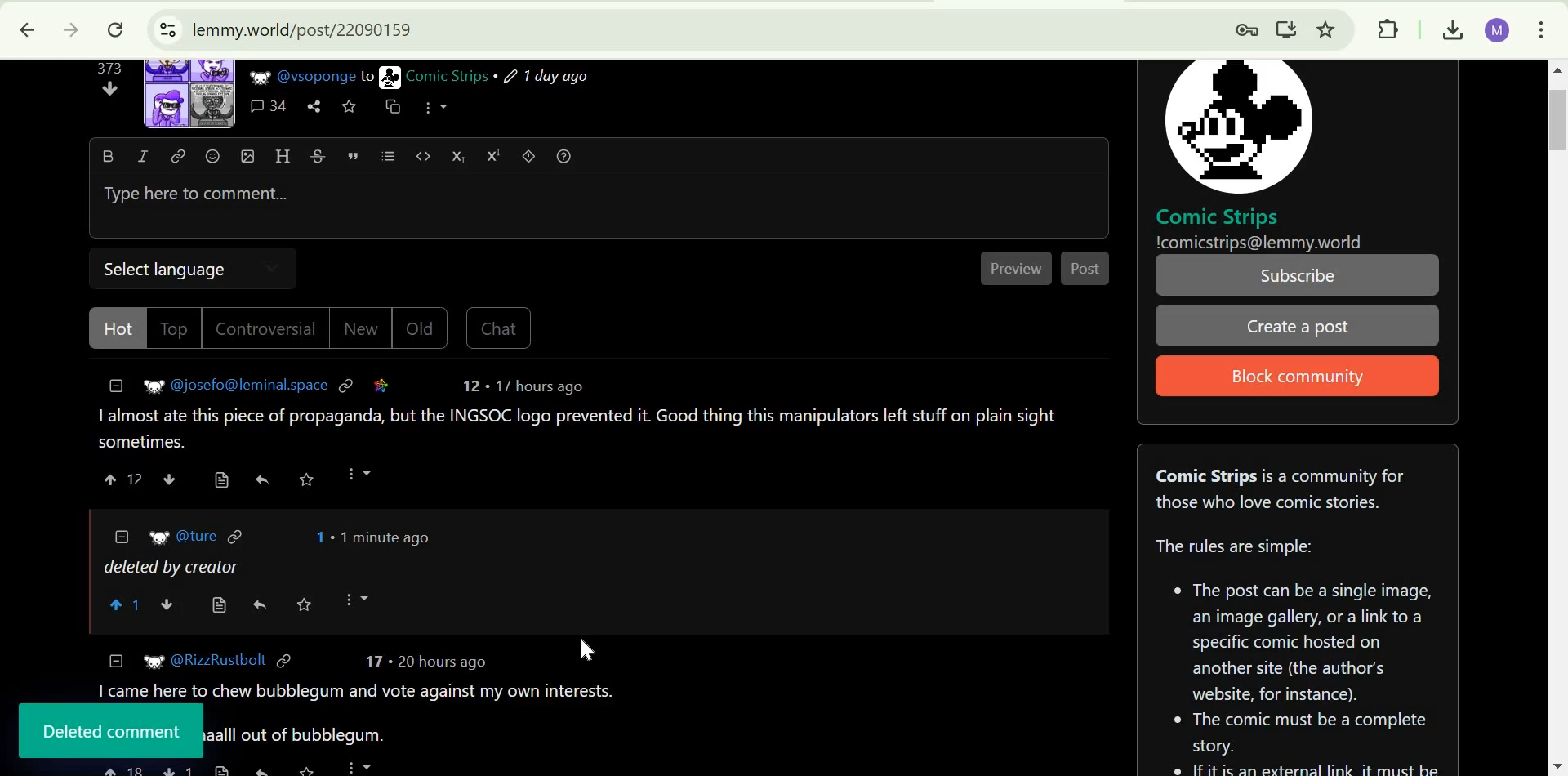 The height and width of the screenshot is (776, 1568). Describe the element at coordinates (111, 88) in the screenshot. I see `downvote` at that location.